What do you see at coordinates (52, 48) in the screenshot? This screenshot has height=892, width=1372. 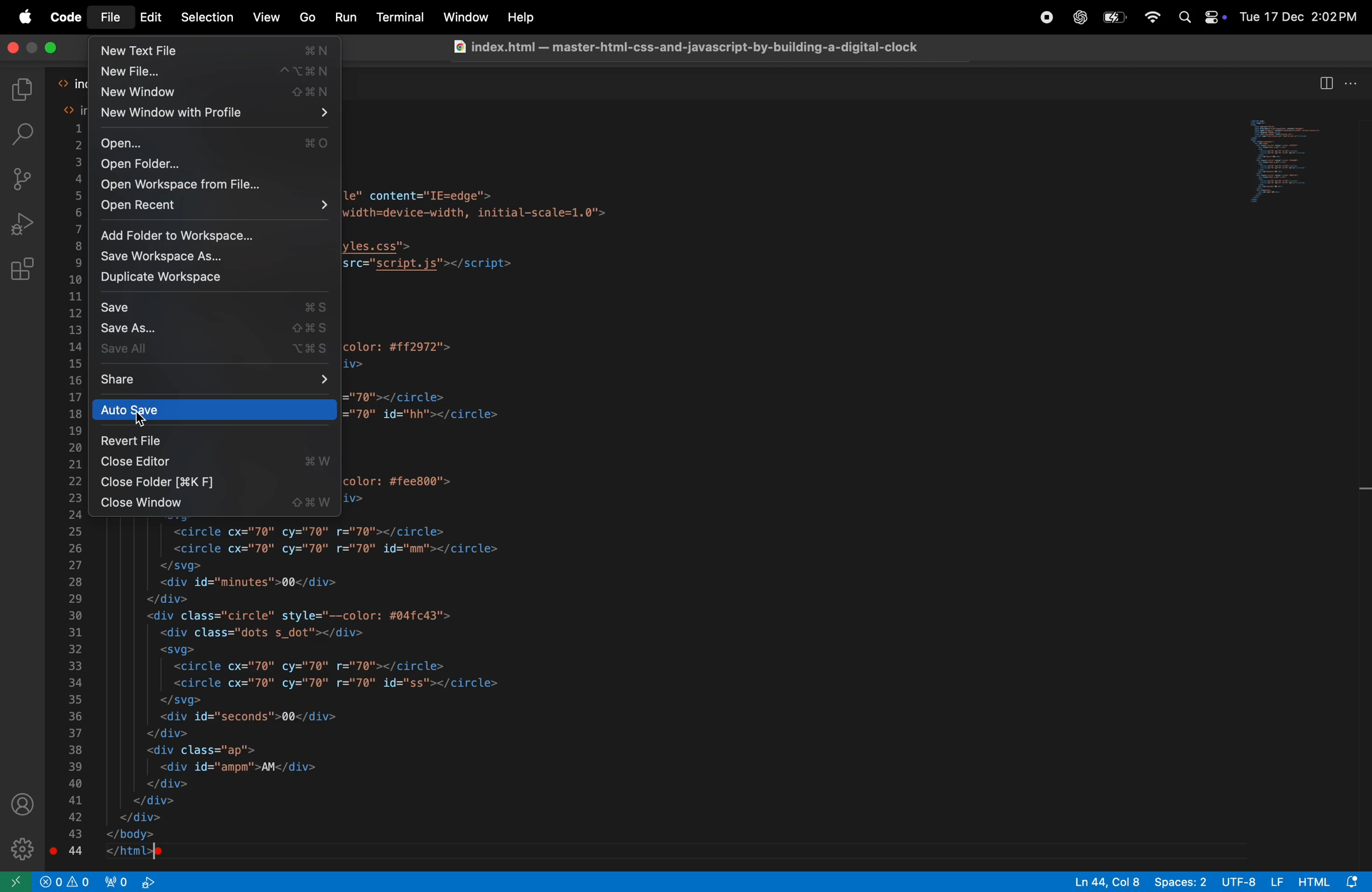 I see `close` at bounding box center [52, 48].